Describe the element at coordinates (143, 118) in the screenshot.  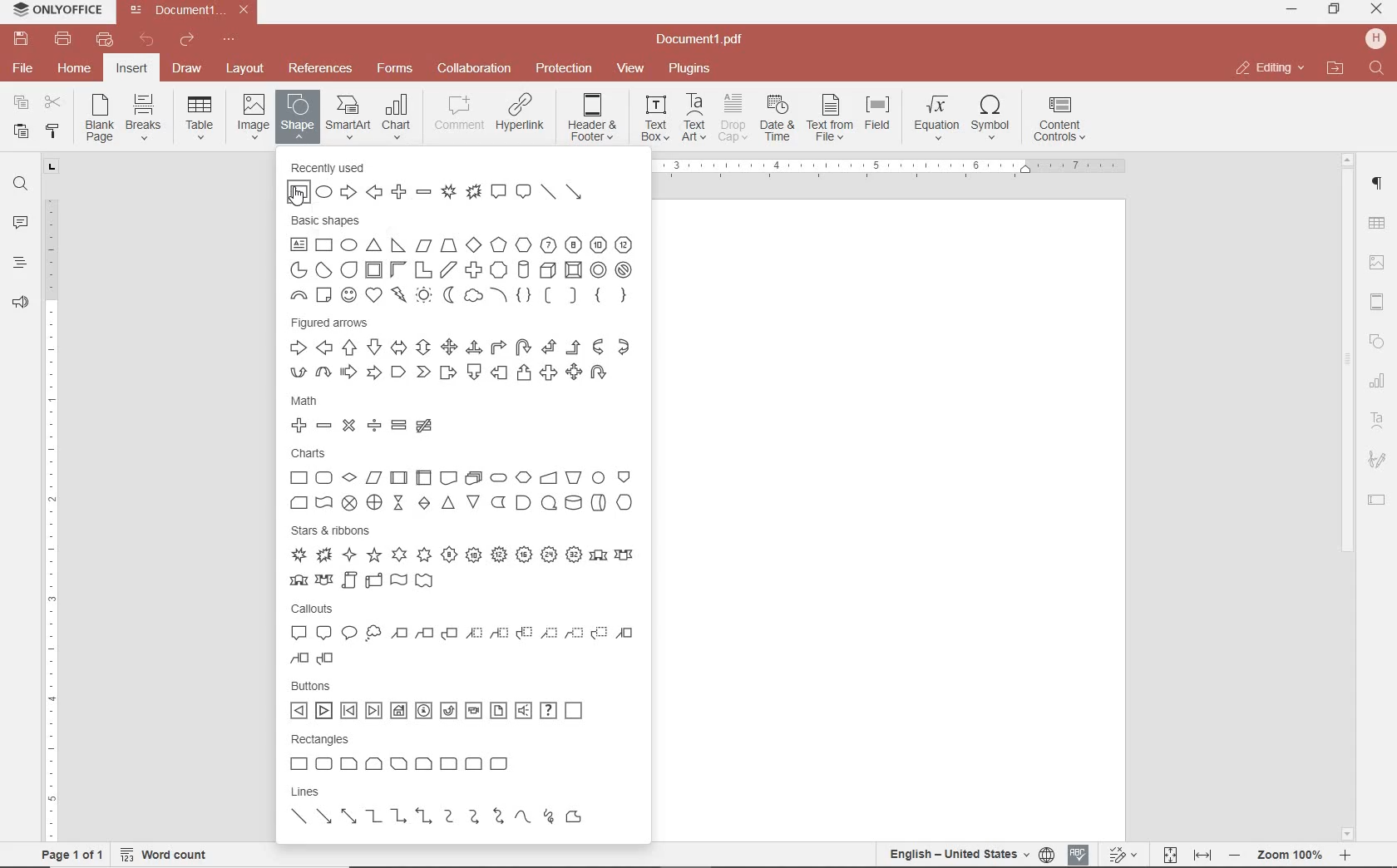
I see `INSERT PAGE OR SECTION BREAK` at that location.